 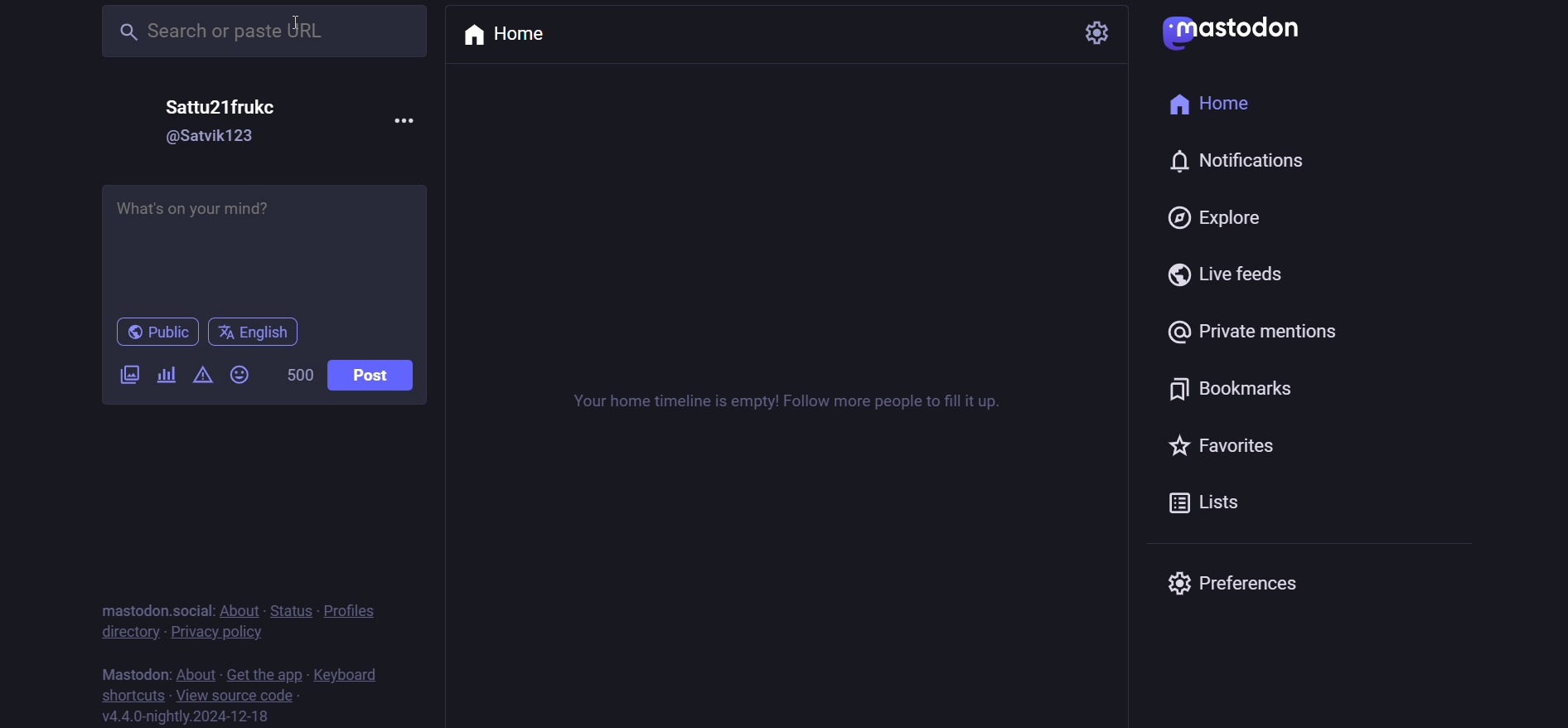 I want to click on notification, so click(x=1241, y=160).